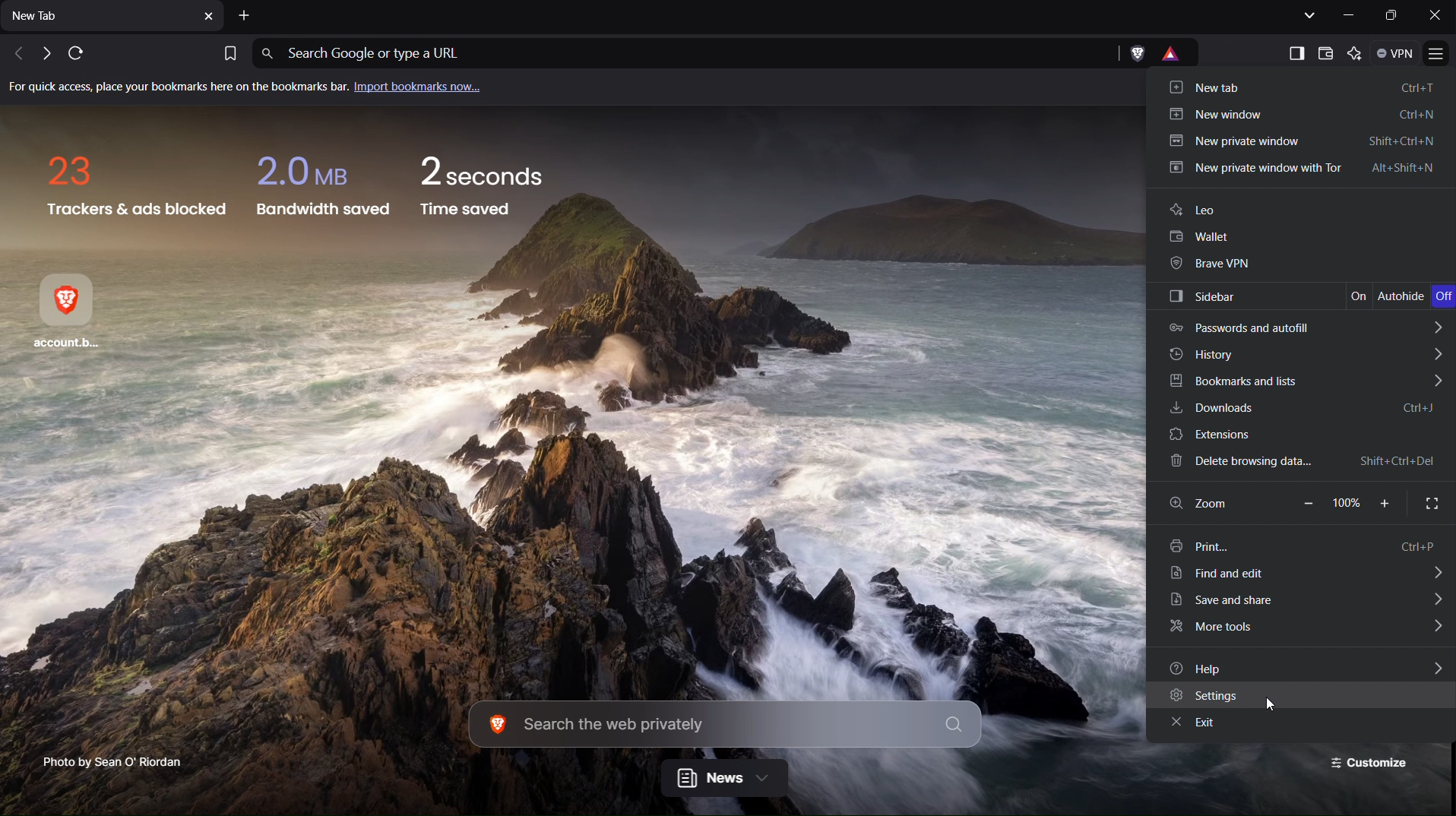 This screenshot has width=1456, height=816. I want to click on Leo AI, so click(1357, 54).